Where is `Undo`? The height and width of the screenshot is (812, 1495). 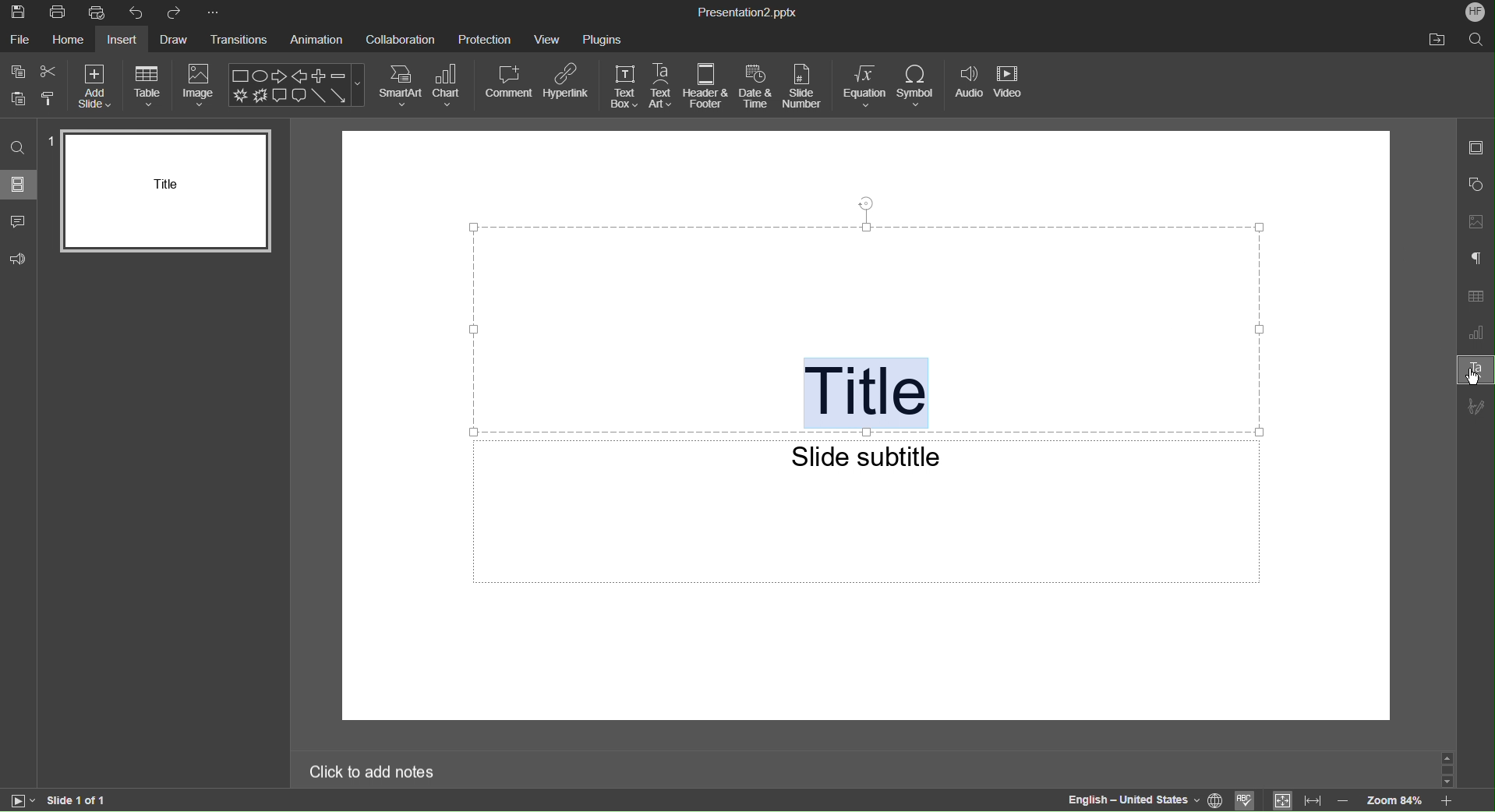
Undo is located at coordinates (136, 12).